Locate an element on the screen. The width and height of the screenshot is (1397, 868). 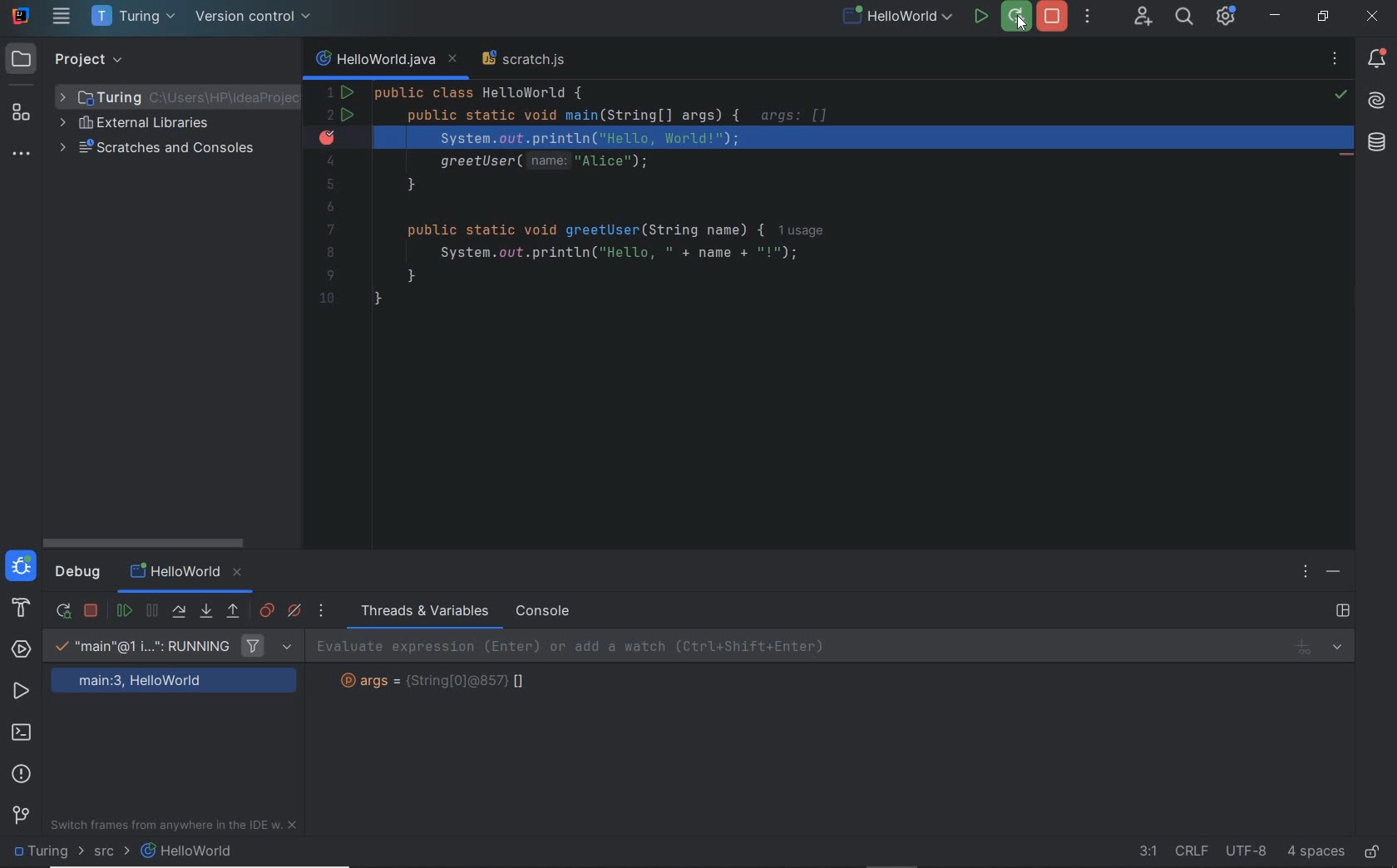
show all frames is located at coordinates (254, 646).